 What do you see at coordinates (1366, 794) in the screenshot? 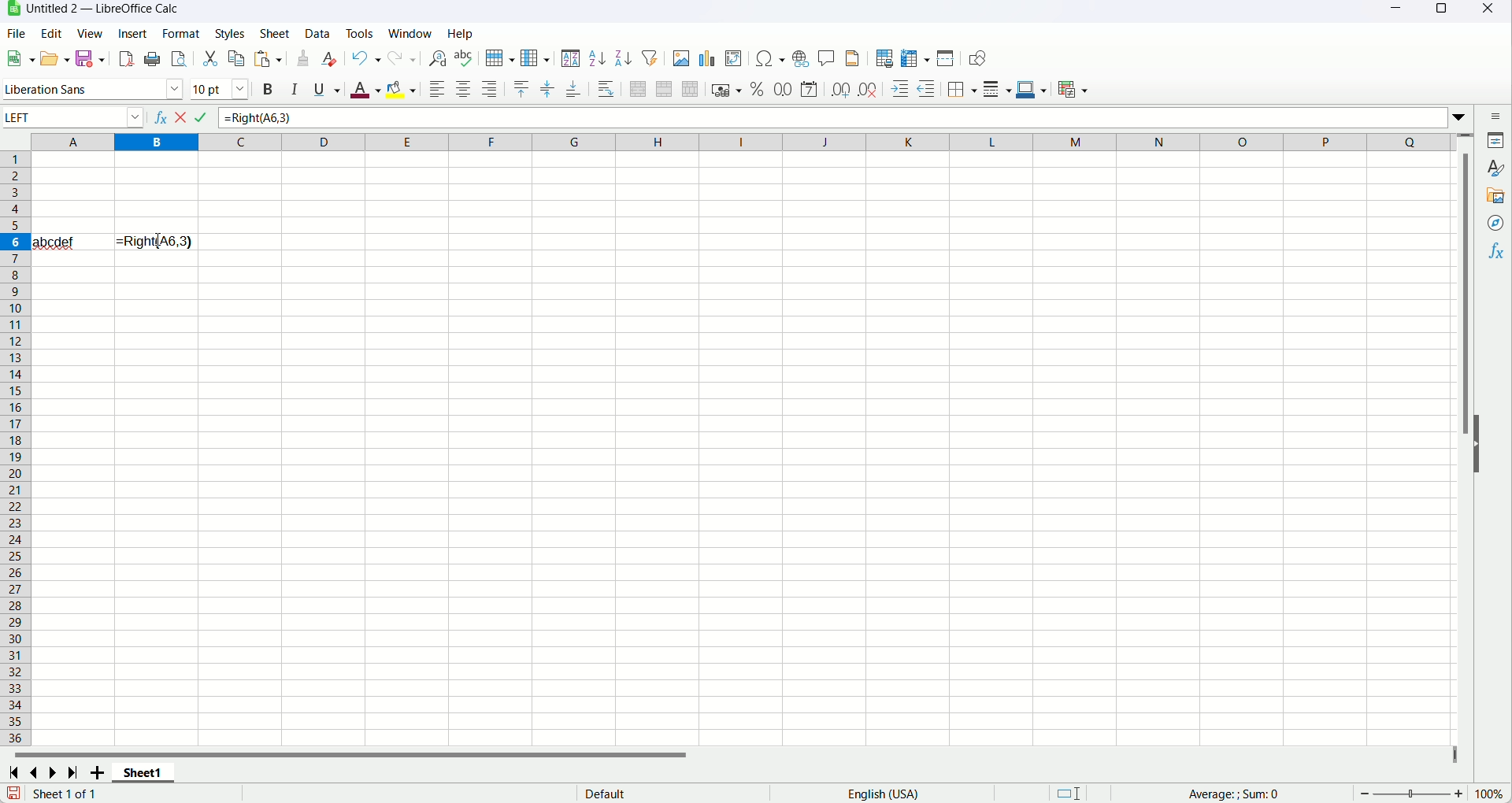
I see `zoom out` at bounding box center [1366, 794].